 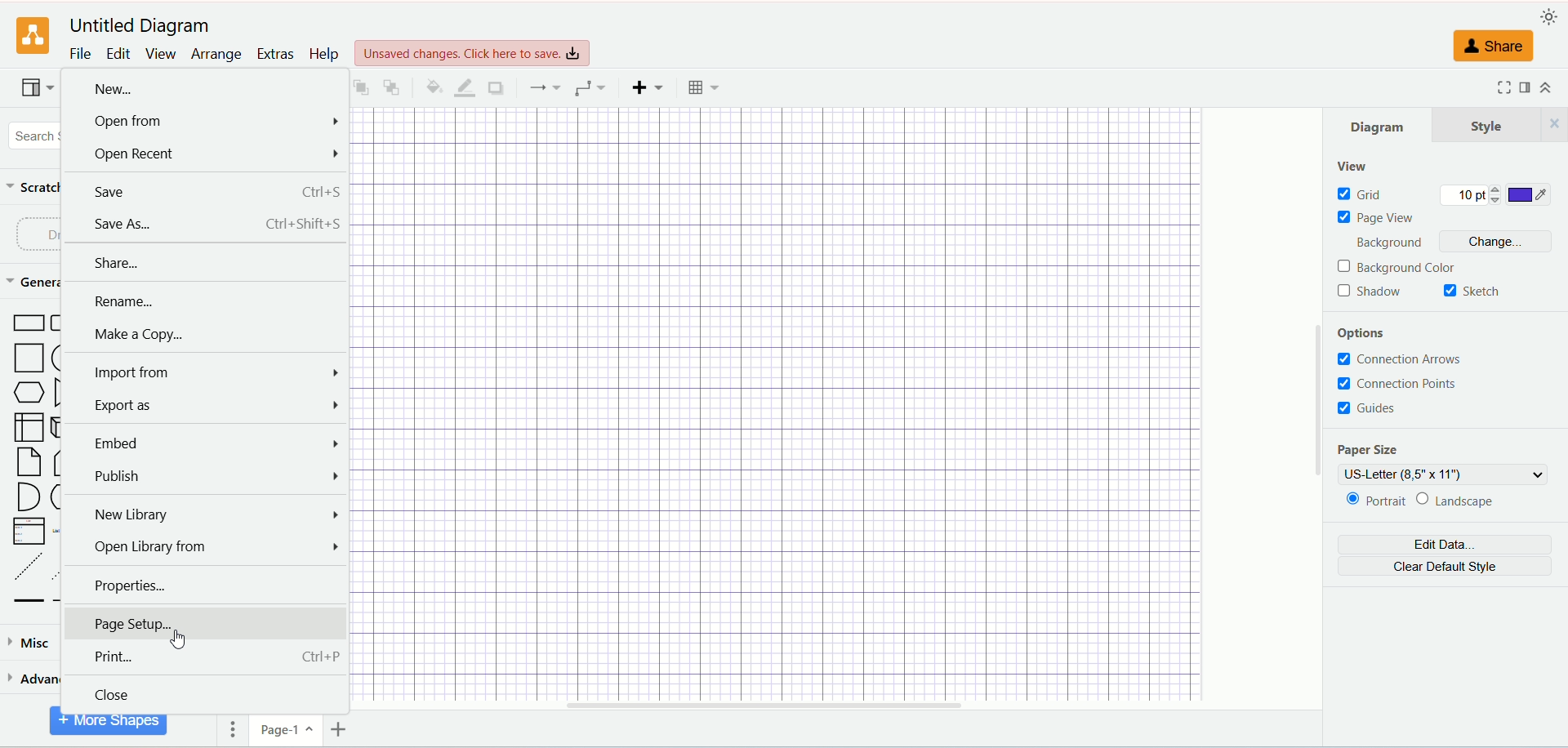 I want to click on click here to save, so click(x=474, y=51).